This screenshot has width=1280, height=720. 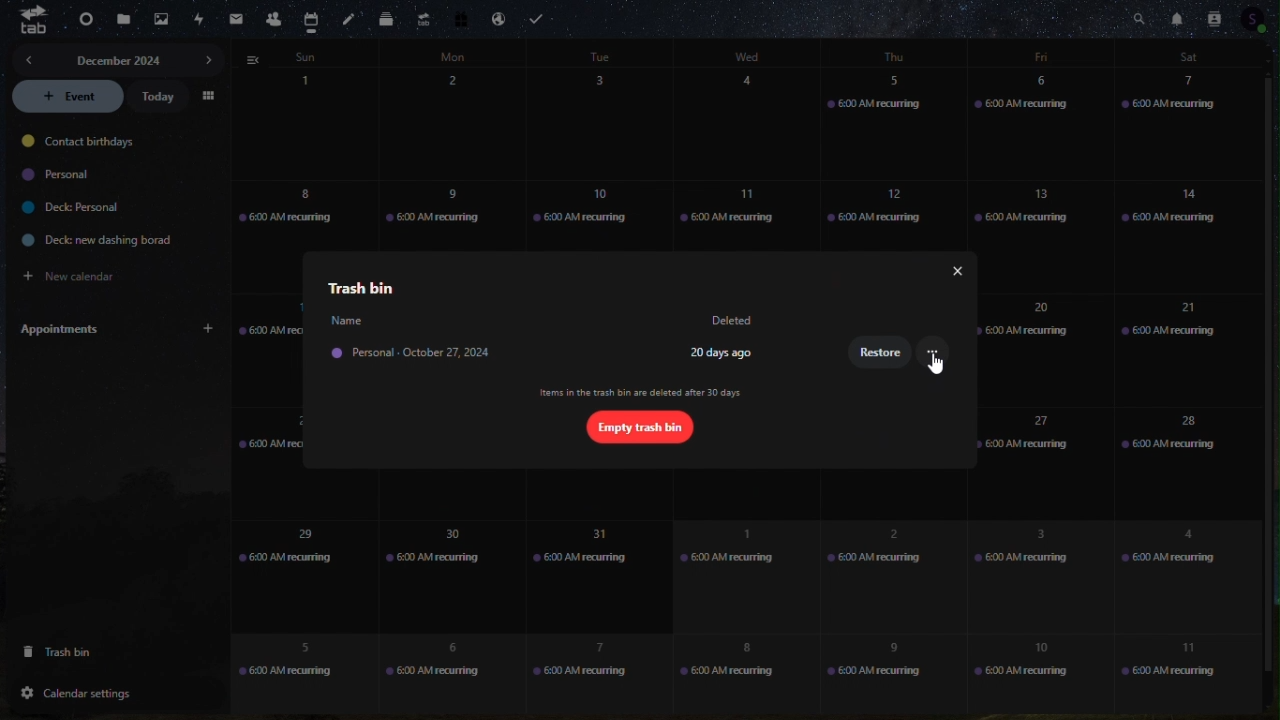 I want to click on 28, so click(x=1186, y=451).